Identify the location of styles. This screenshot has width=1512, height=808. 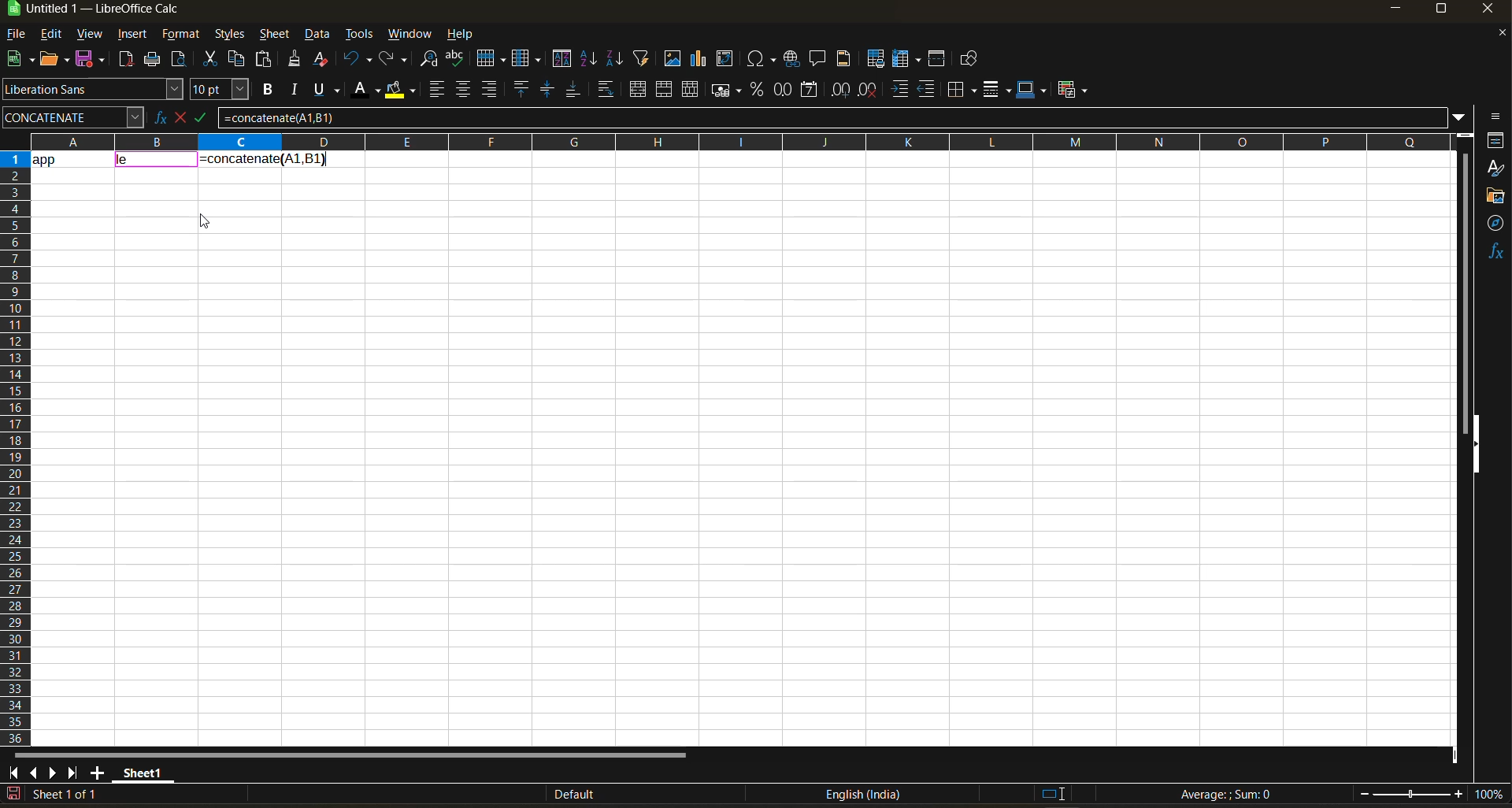
(1495, 169).